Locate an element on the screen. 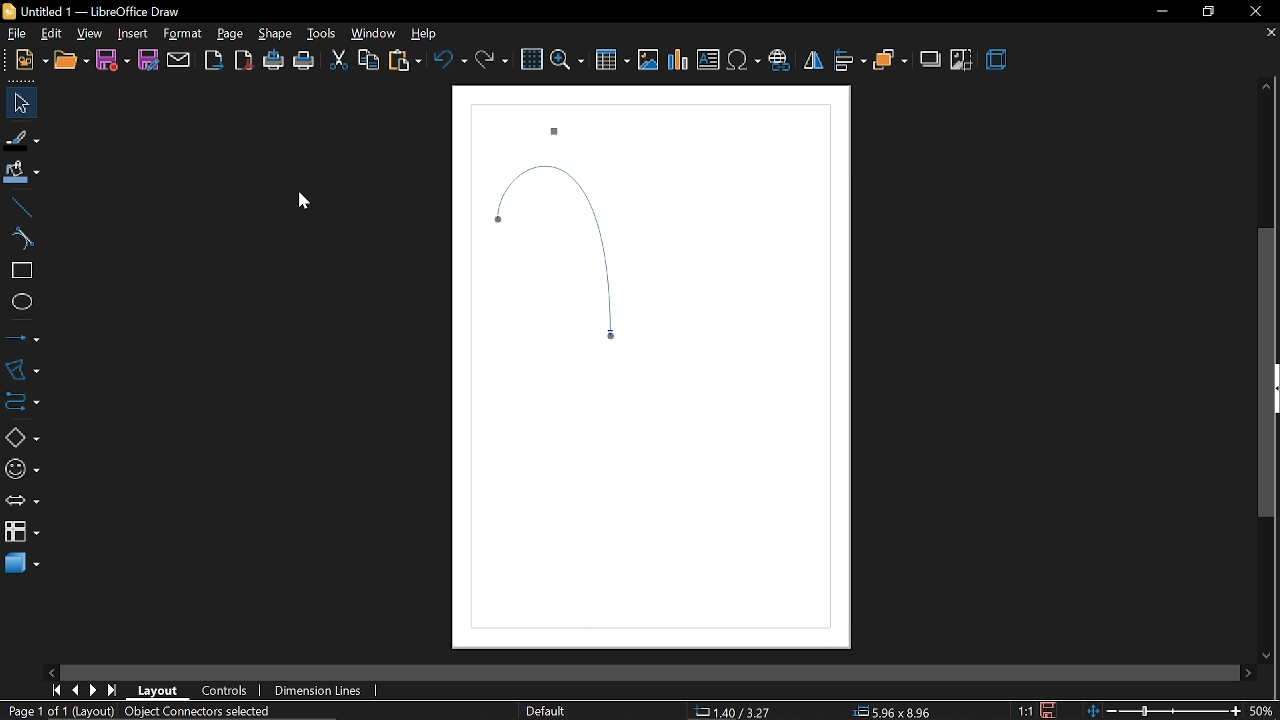  close is located at coordinates (1253, 11).